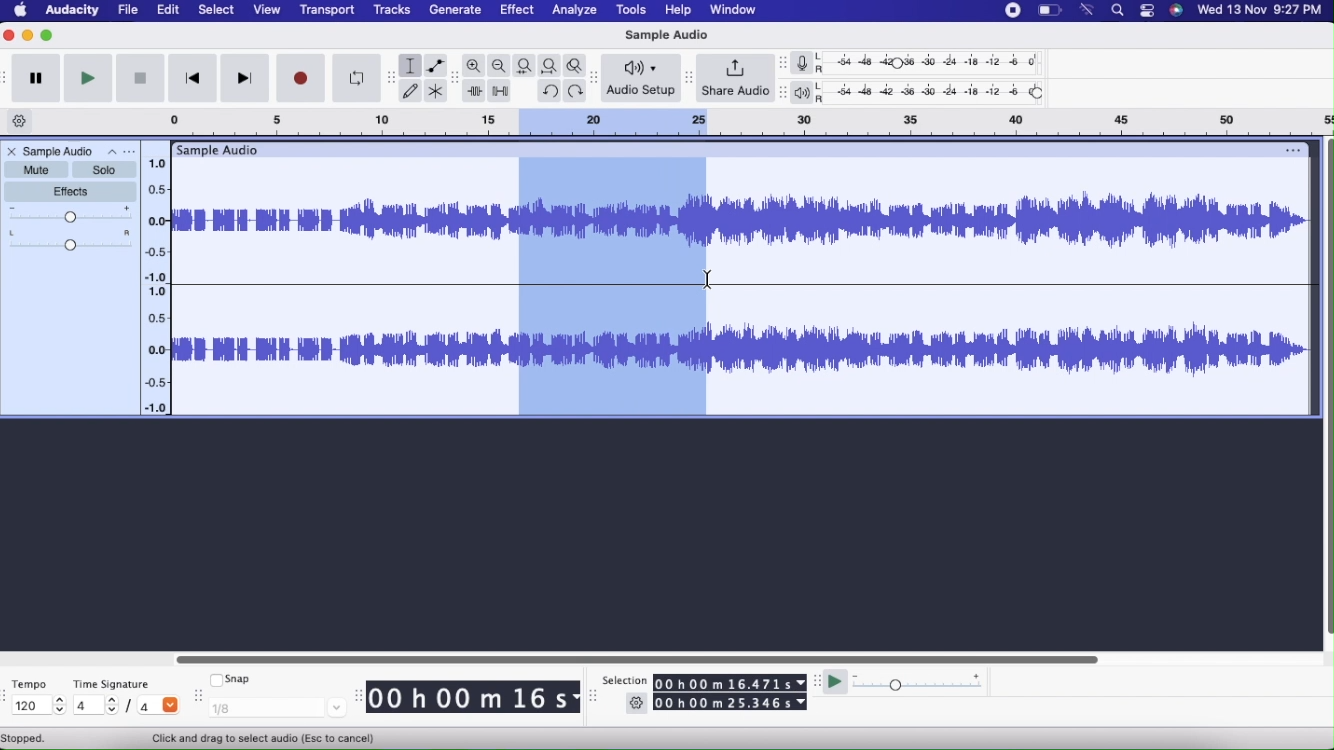 This screenshot has height=750, width=1334. What do you see at coordinates (410, 90) in the screenshot?
I see `Draw tool` at bounding box center [410, 90].